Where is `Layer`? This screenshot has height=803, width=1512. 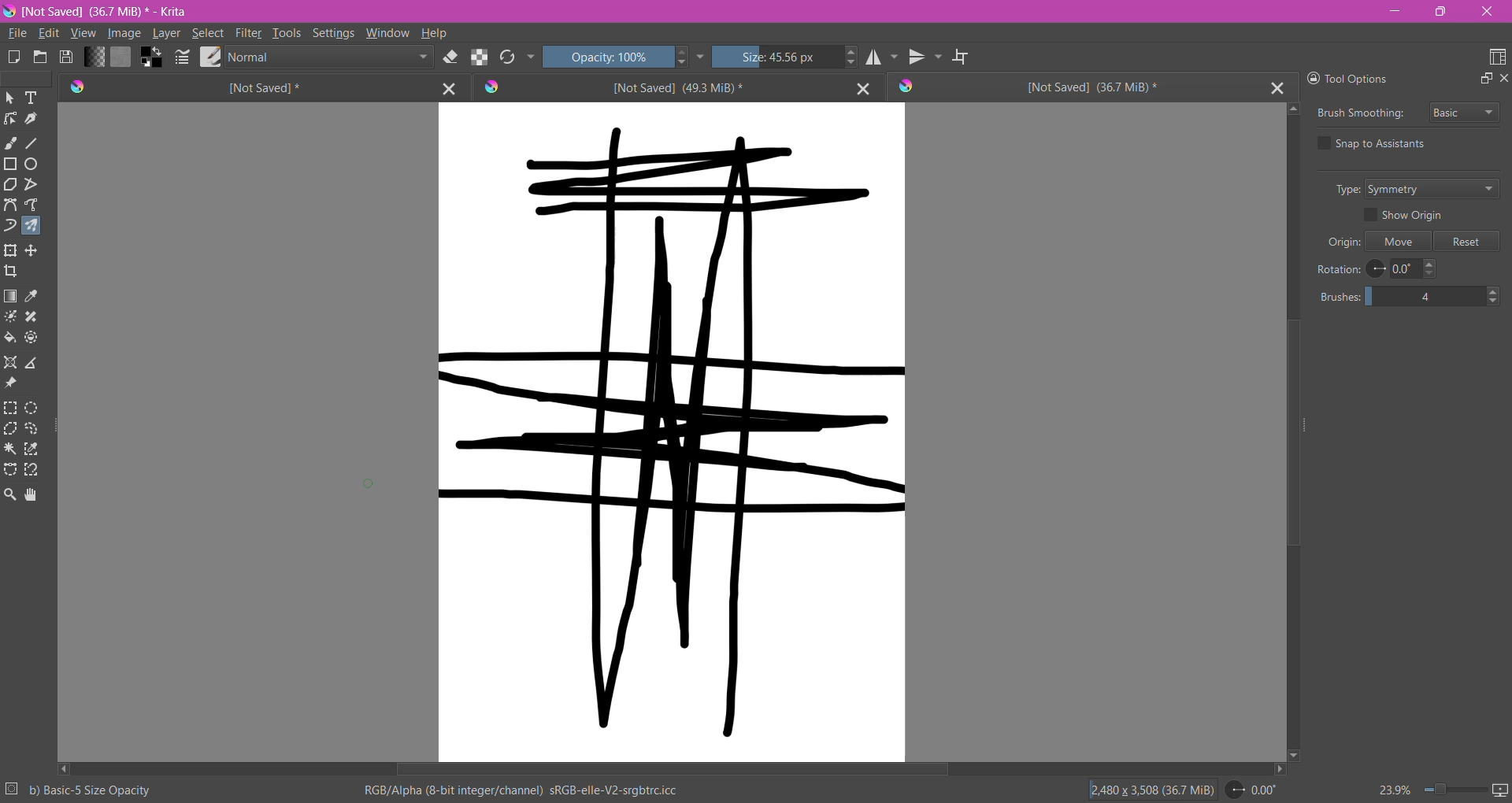 Layer is located at coordinates (165, 35).